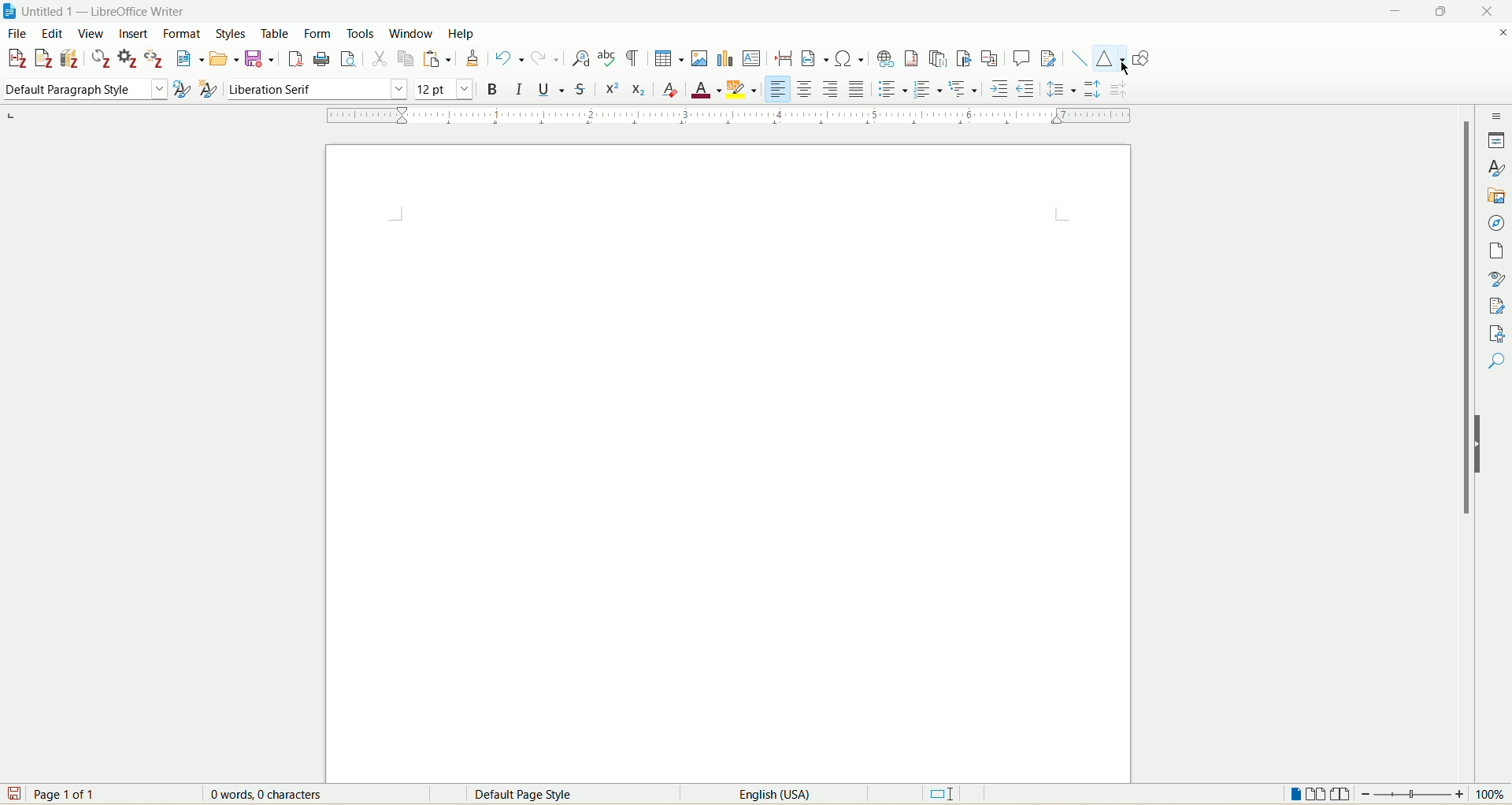 This screenshot has height=805, width=1512. Describe the element at coordinates (1485, 12) in the screenshot. I see `close` at that location.